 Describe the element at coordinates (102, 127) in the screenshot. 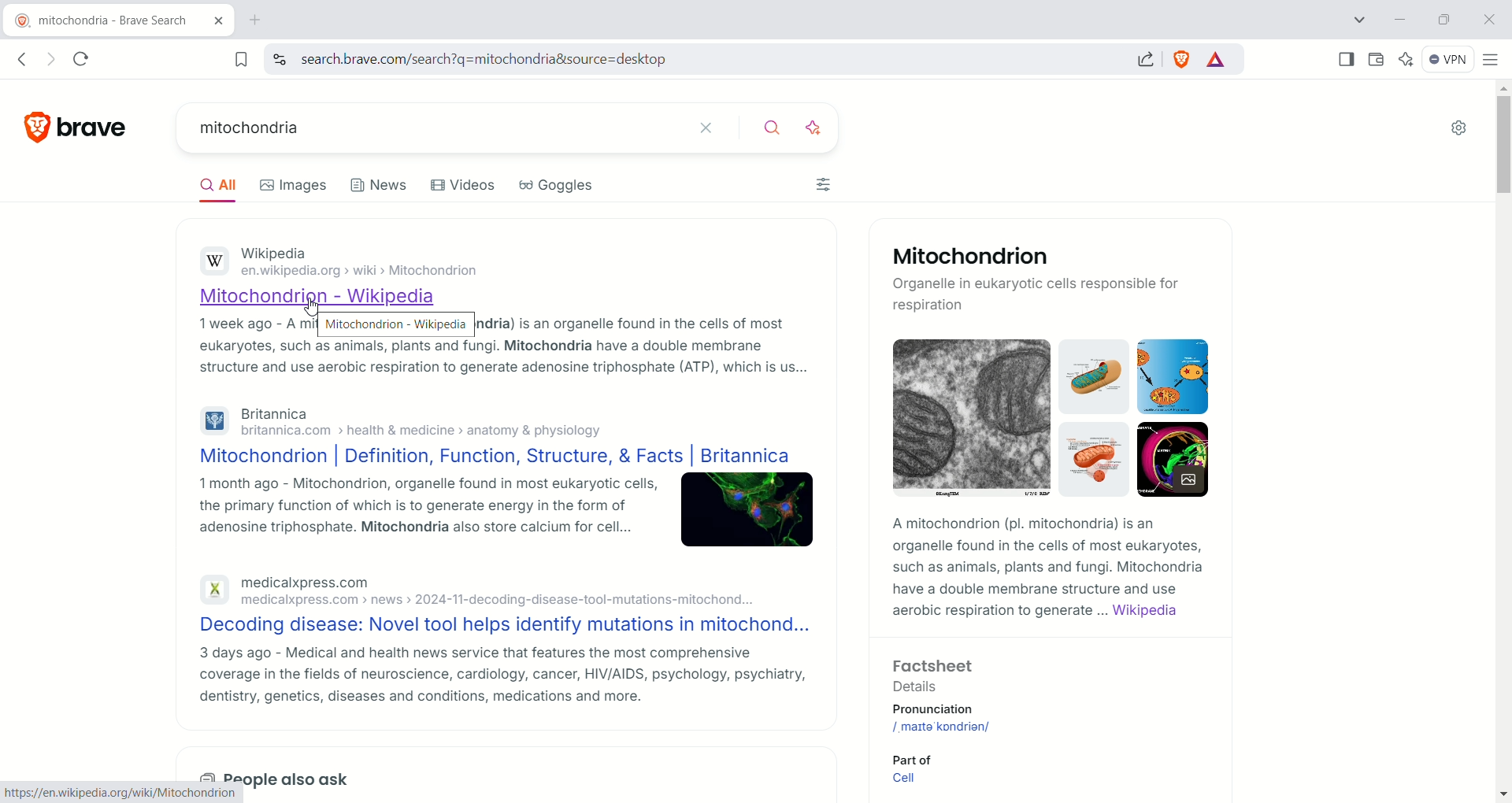

I see `brave` at that location.